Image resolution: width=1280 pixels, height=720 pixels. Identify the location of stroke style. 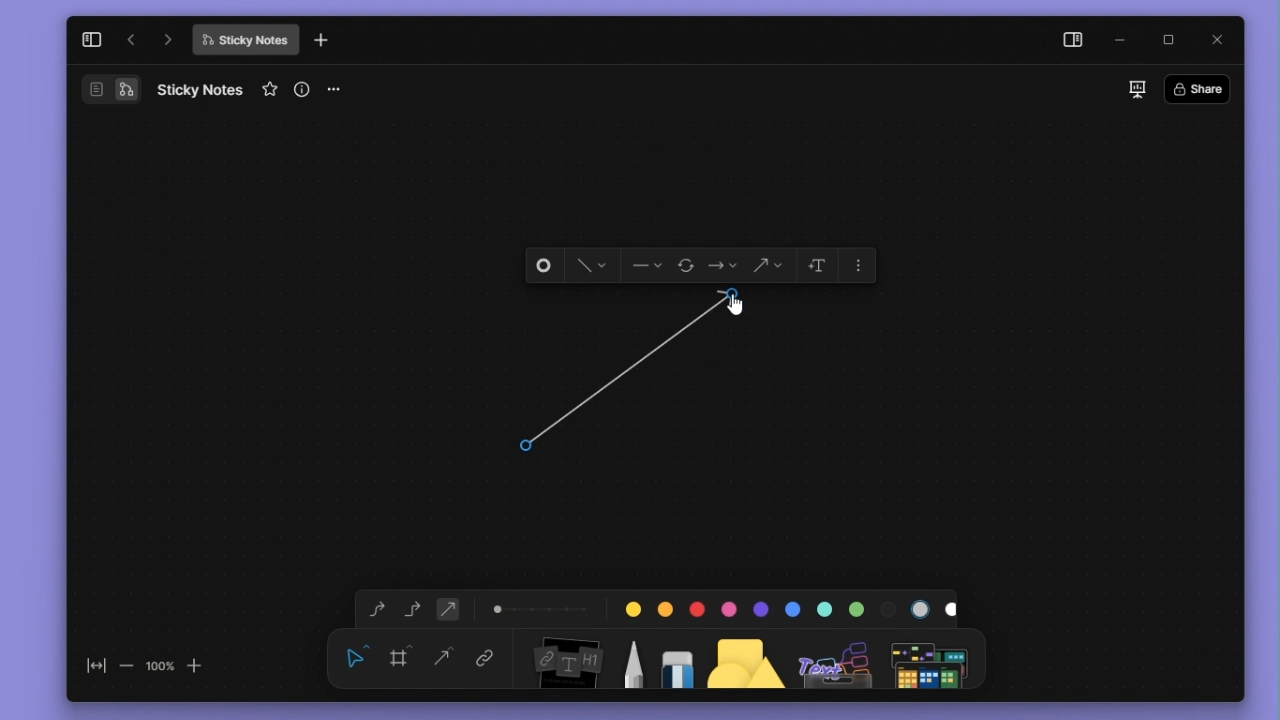
(545, 266).